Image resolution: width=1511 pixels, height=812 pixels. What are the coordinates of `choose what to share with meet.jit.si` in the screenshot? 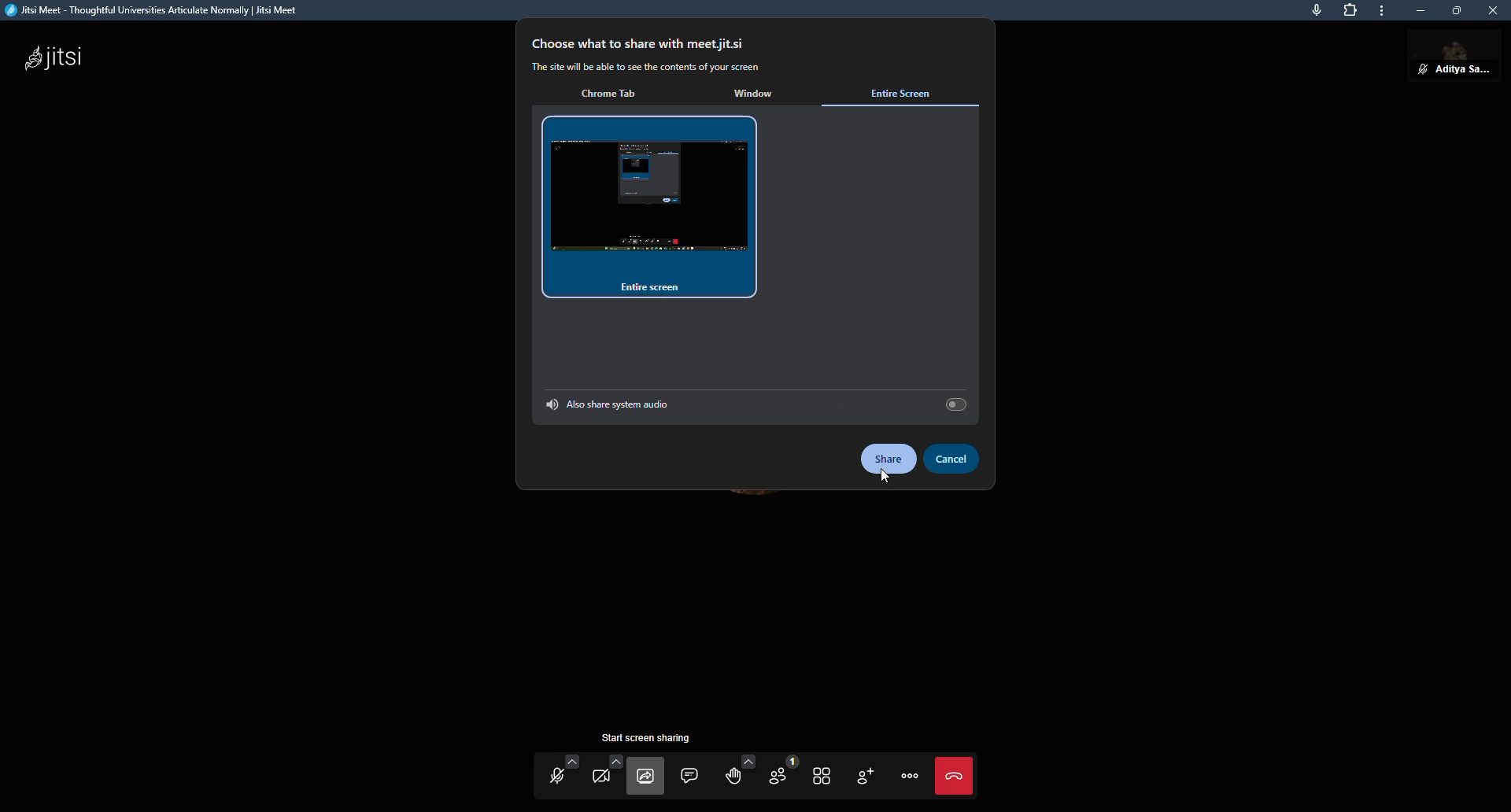 It's located at (642, 42).